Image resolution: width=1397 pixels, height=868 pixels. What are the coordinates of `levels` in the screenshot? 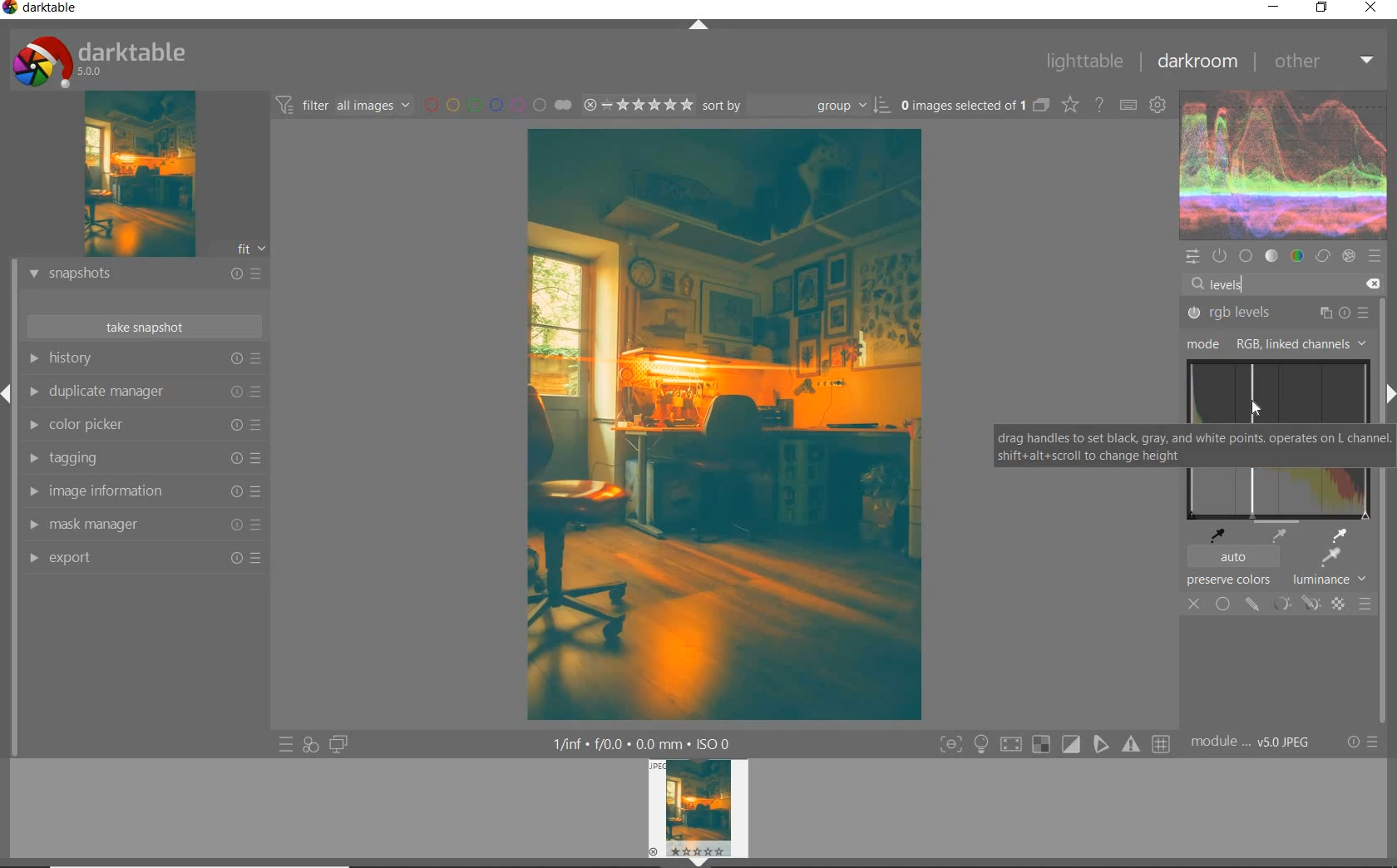 It's located at (1226, 284).